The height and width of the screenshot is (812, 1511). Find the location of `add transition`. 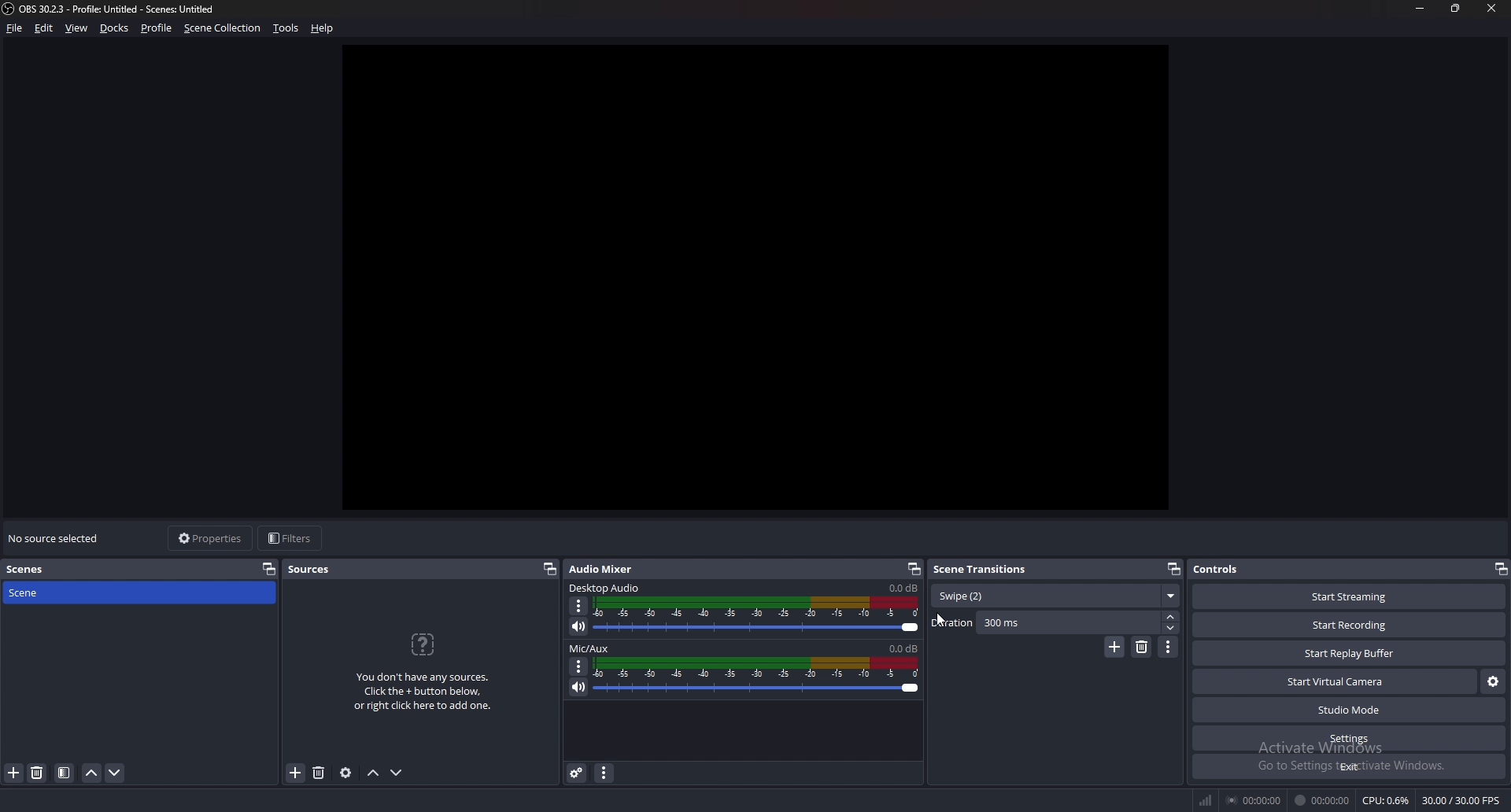

add transition is located at coordinates (1114, 647).